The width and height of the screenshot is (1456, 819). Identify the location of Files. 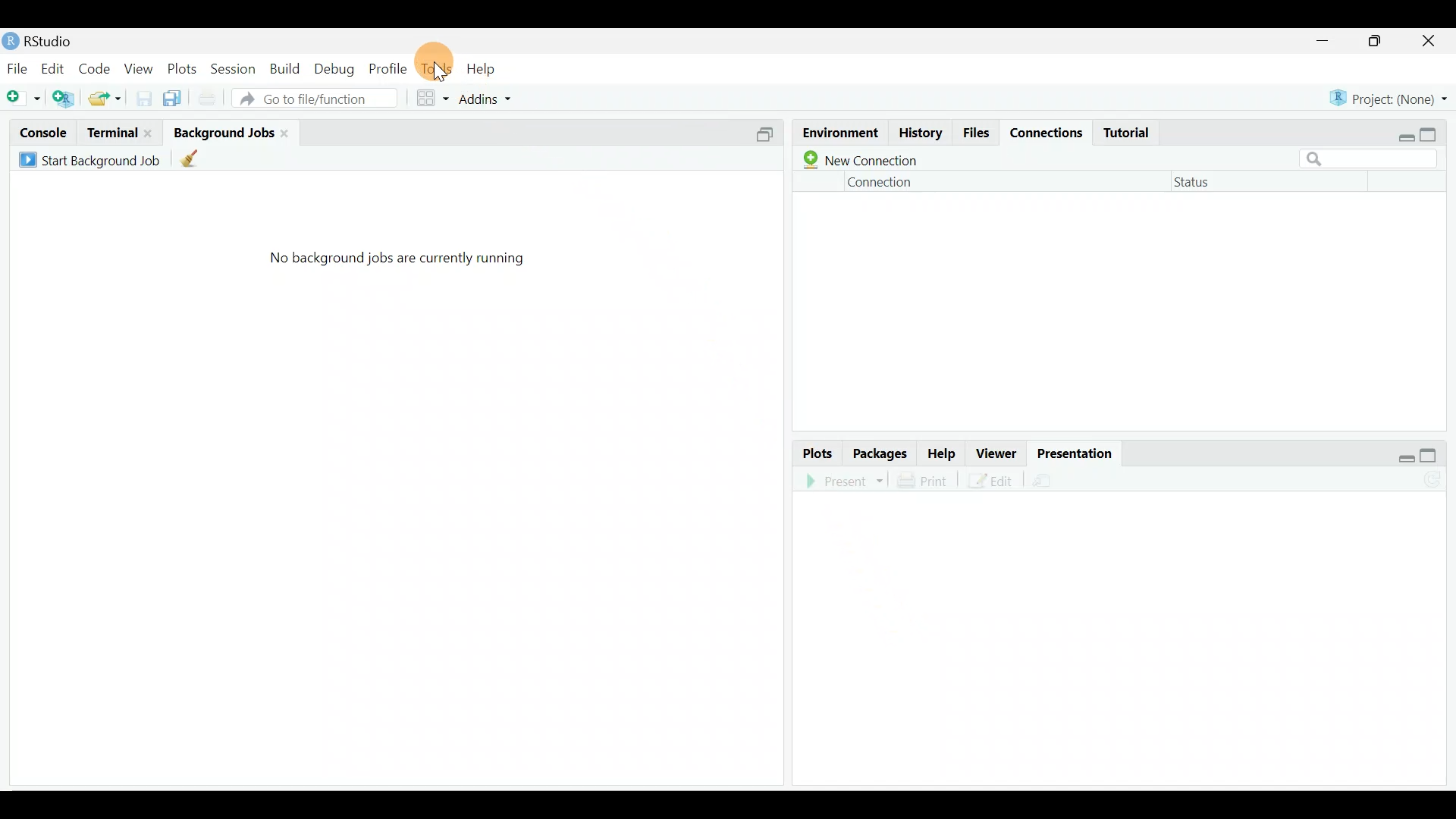
(977, 133).